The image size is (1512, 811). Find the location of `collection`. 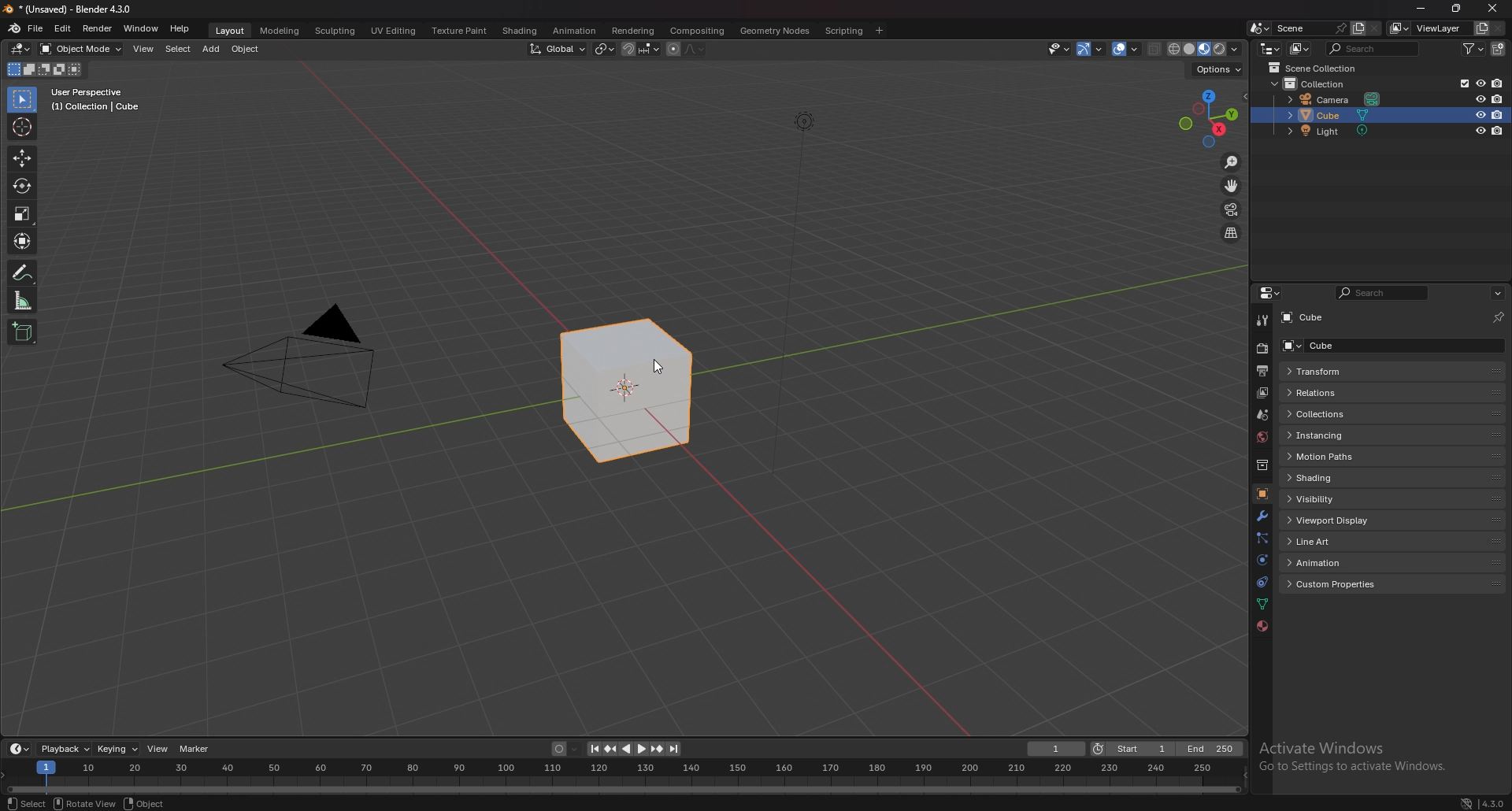

collection is located at coordinates (1310, 83).